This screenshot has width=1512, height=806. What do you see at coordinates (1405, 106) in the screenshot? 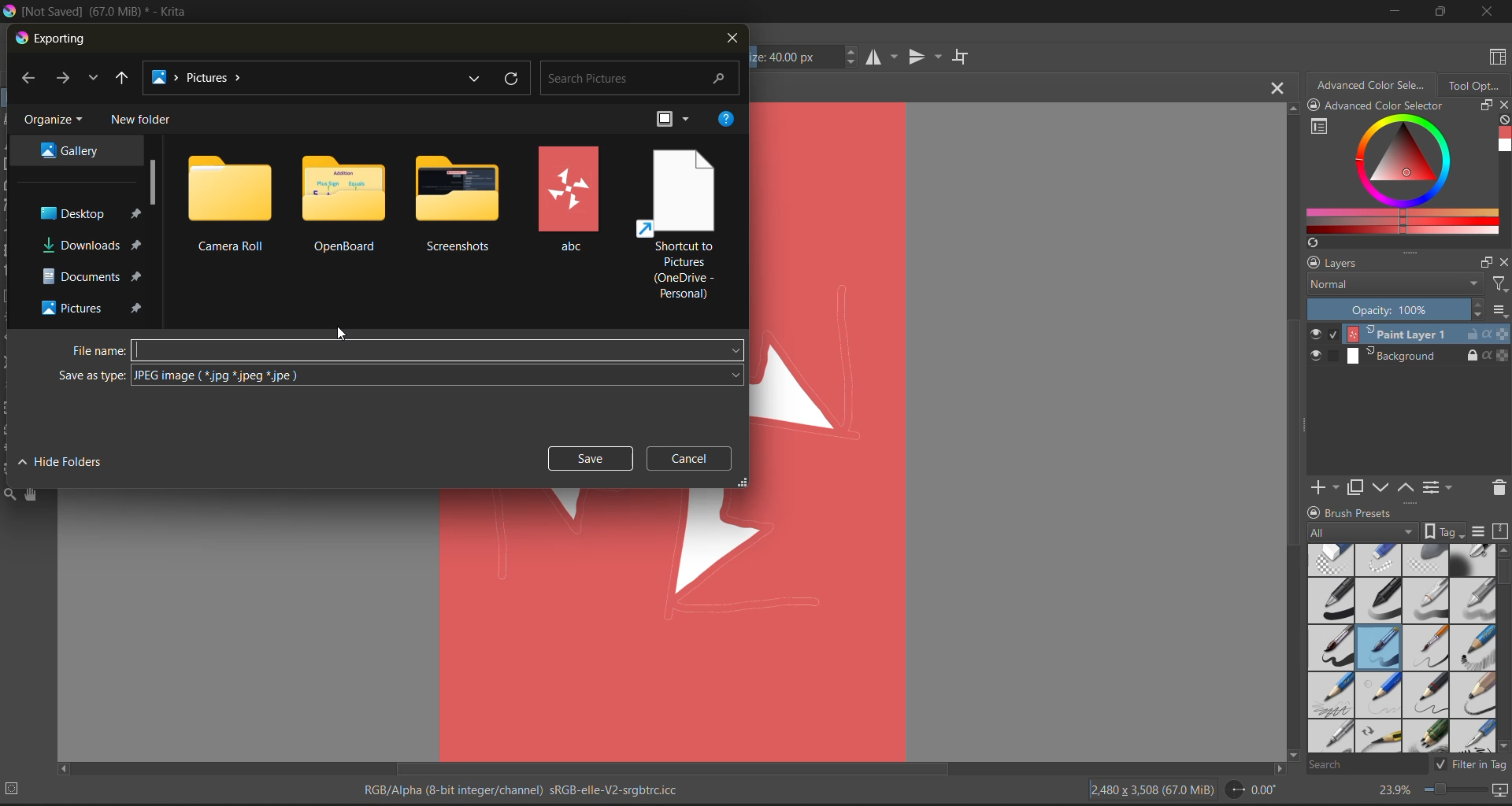
I see `Advanced color selector` at bounding box center [1405, 106].